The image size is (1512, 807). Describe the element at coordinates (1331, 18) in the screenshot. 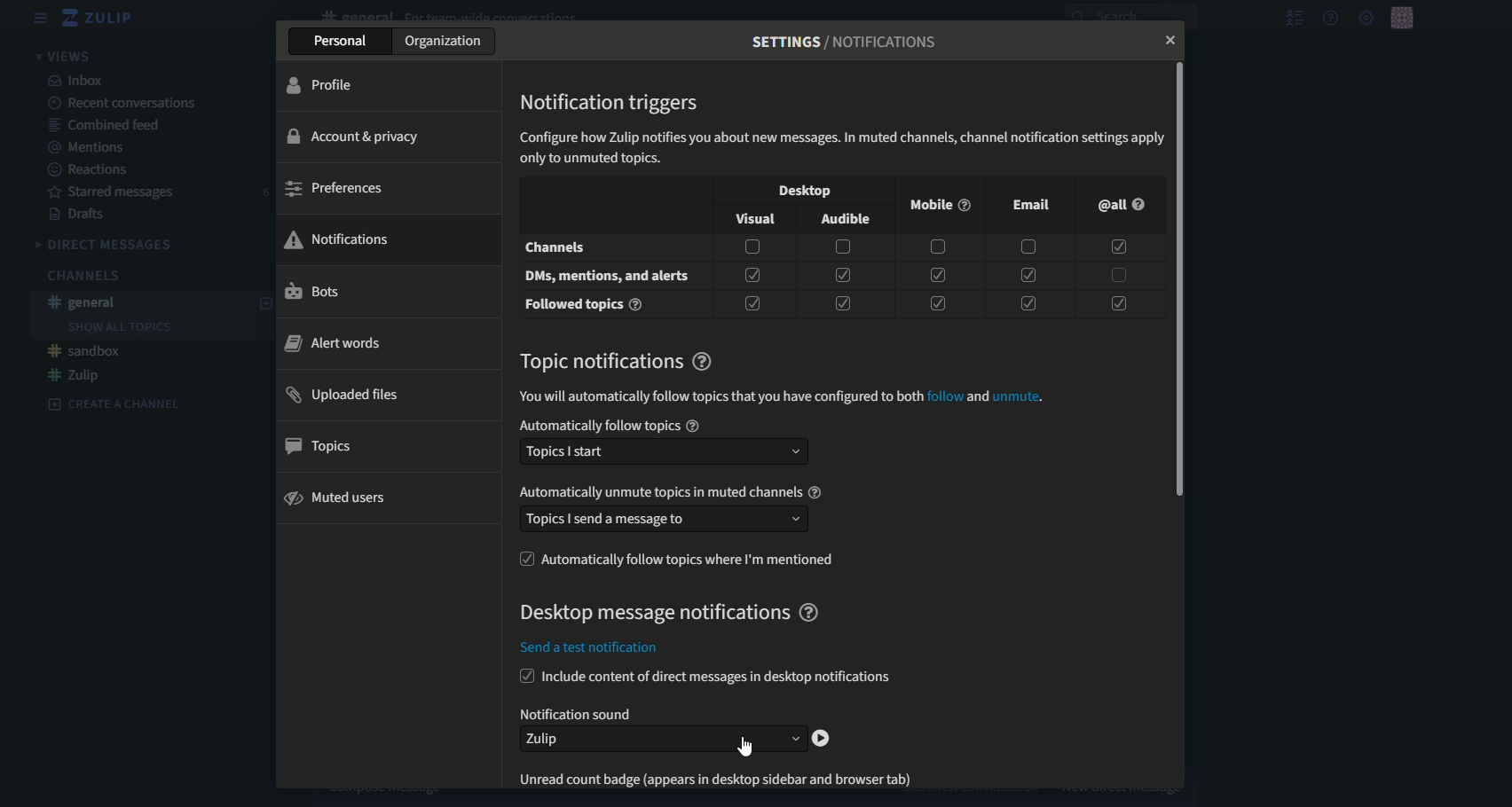

I see `help menu` at that location.